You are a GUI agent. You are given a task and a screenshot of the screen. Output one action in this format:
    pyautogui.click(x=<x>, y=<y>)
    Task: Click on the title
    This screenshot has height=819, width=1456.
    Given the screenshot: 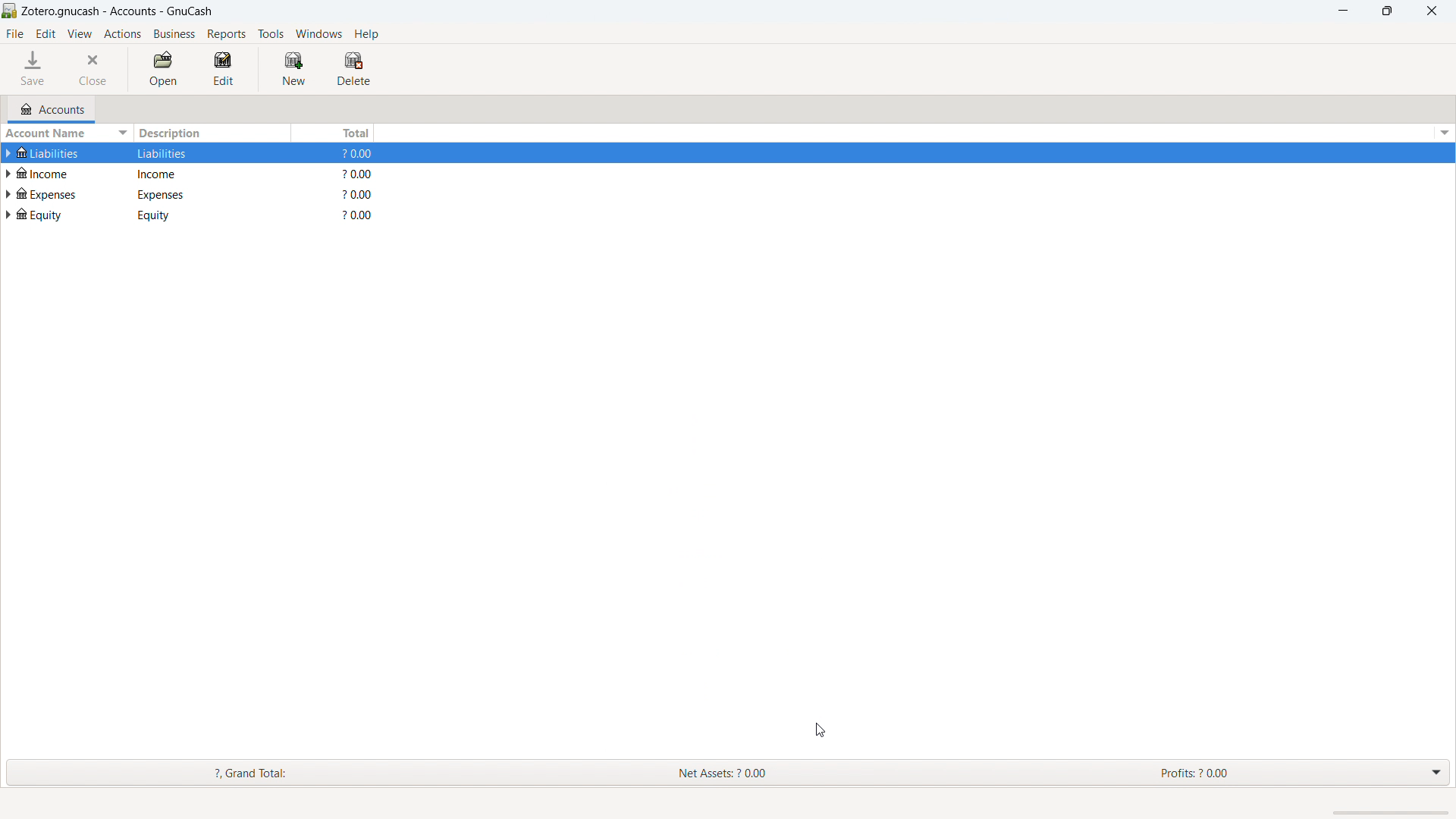 What is the action you would take?
    pyautogui.click(x=118, y=11)
    